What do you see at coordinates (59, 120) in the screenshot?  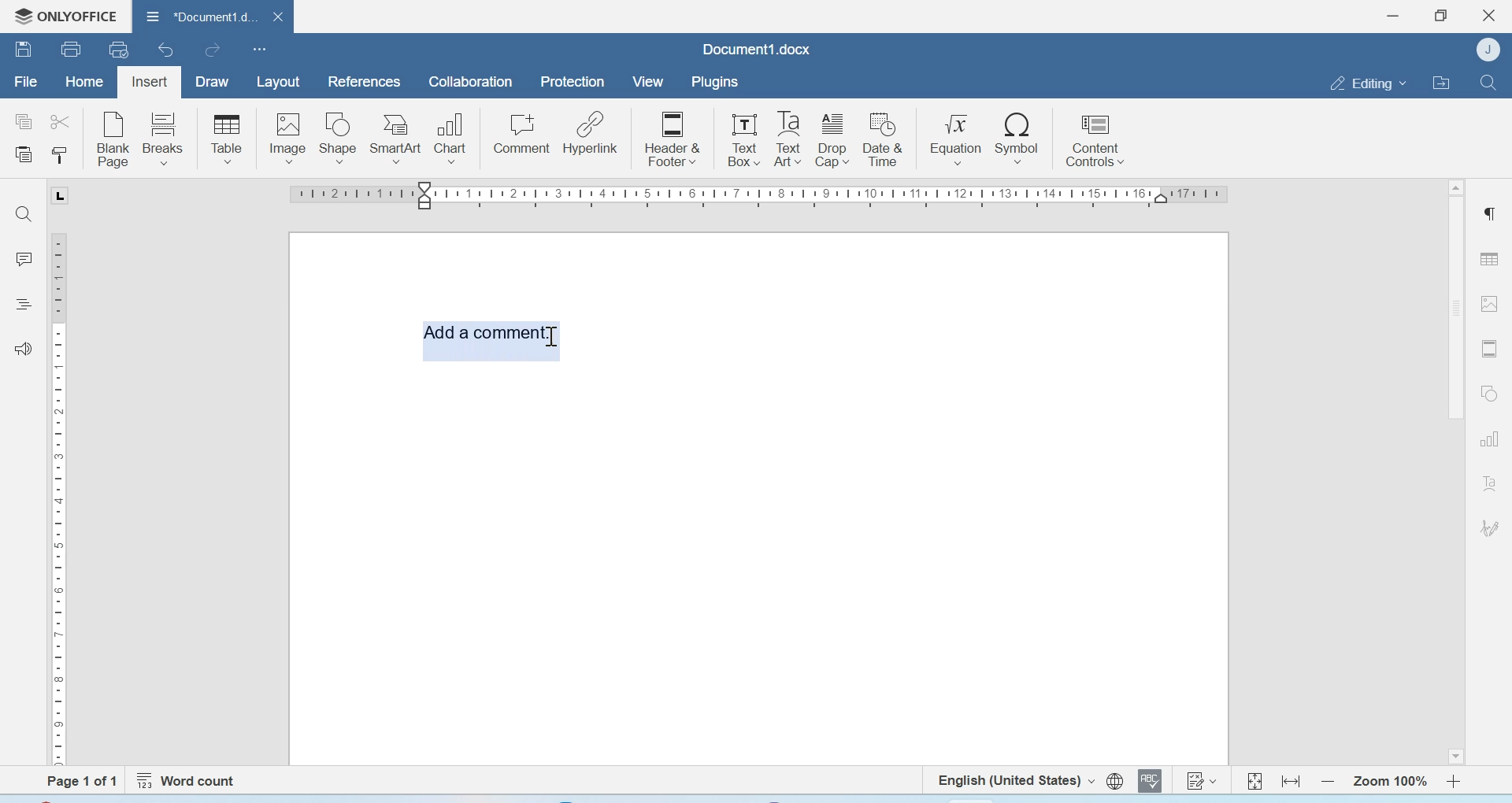 I see `Cut` at bounding box center [59, 120].